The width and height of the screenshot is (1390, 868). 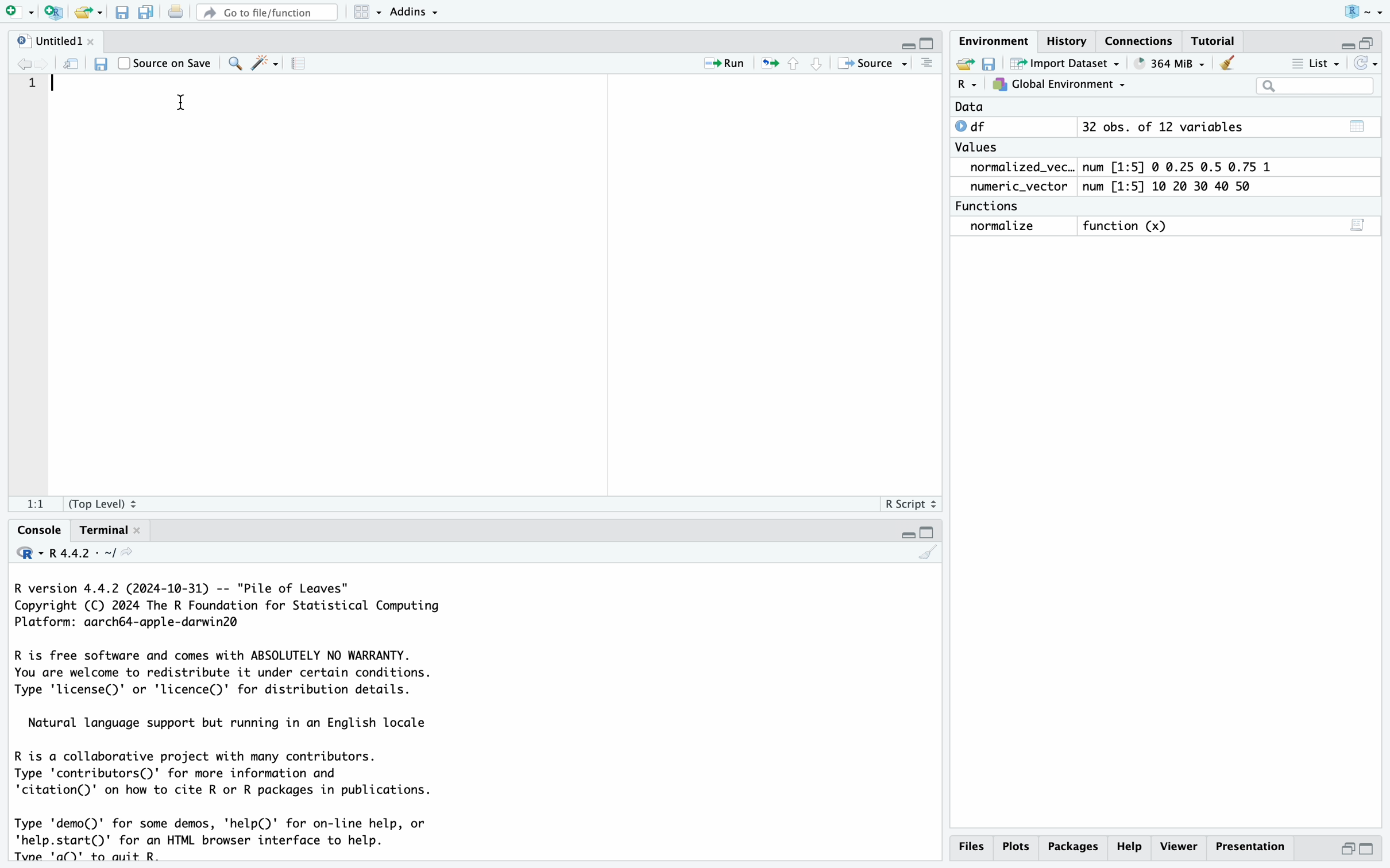 What do you see at coordinates (970, 107) in the screenshot?
I see `Data` at bounding box center [970, 107].